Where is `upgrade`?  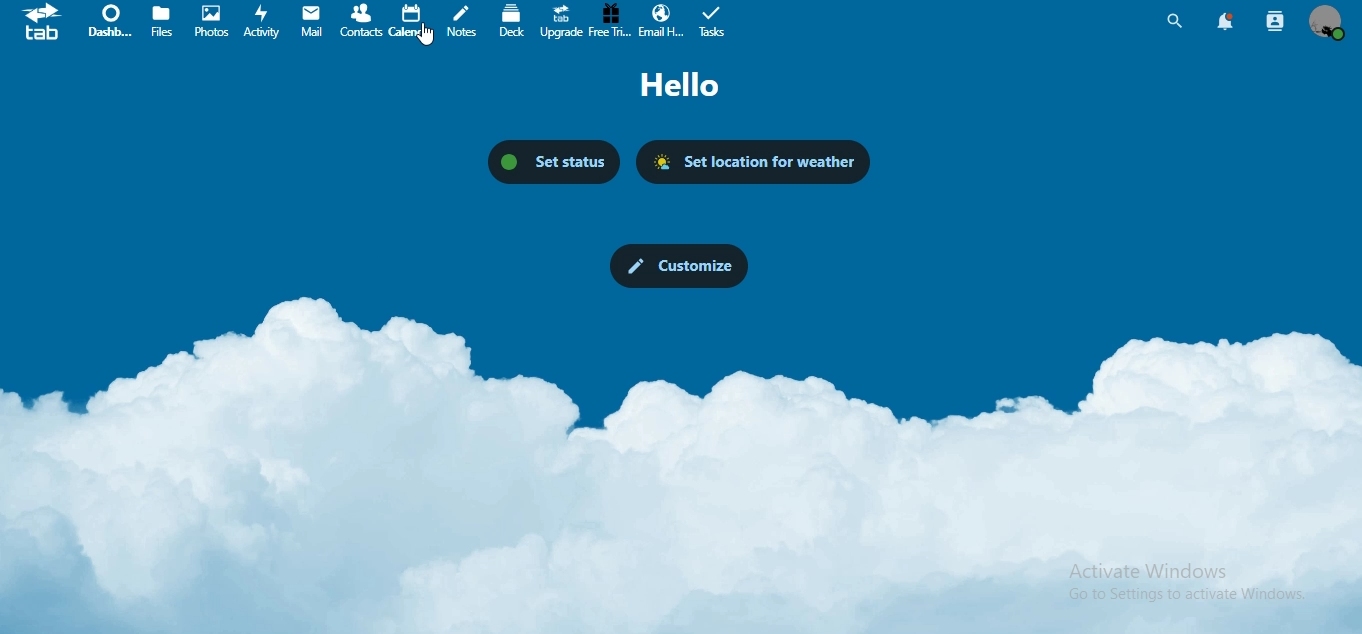
upgrade is located at coordinates (563, 23).